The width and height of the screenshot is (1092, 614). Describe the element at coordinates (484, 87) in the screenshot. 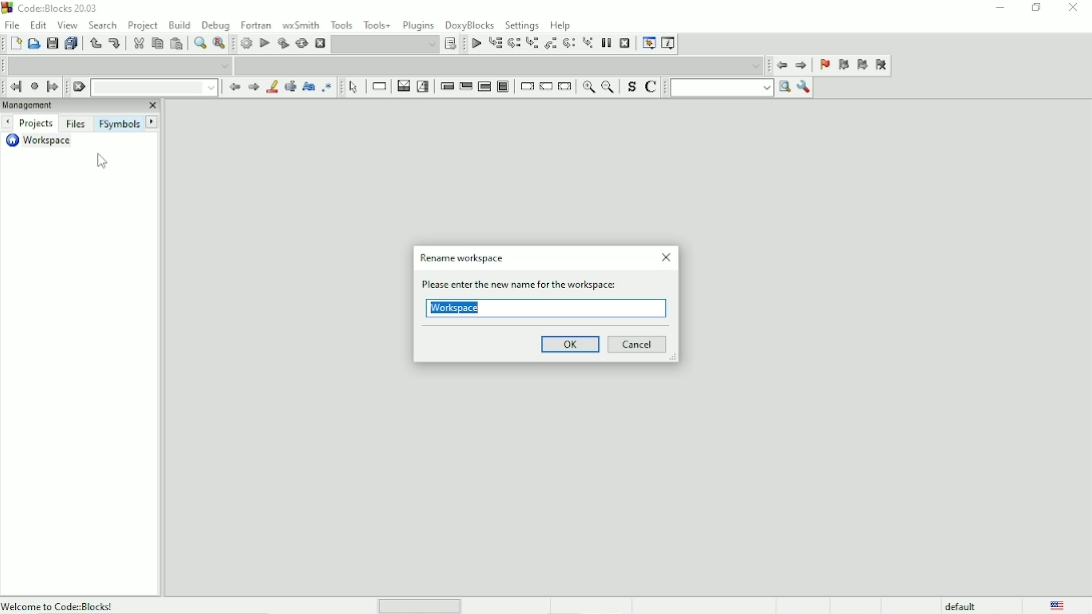

I see `Counting loop` at that location.